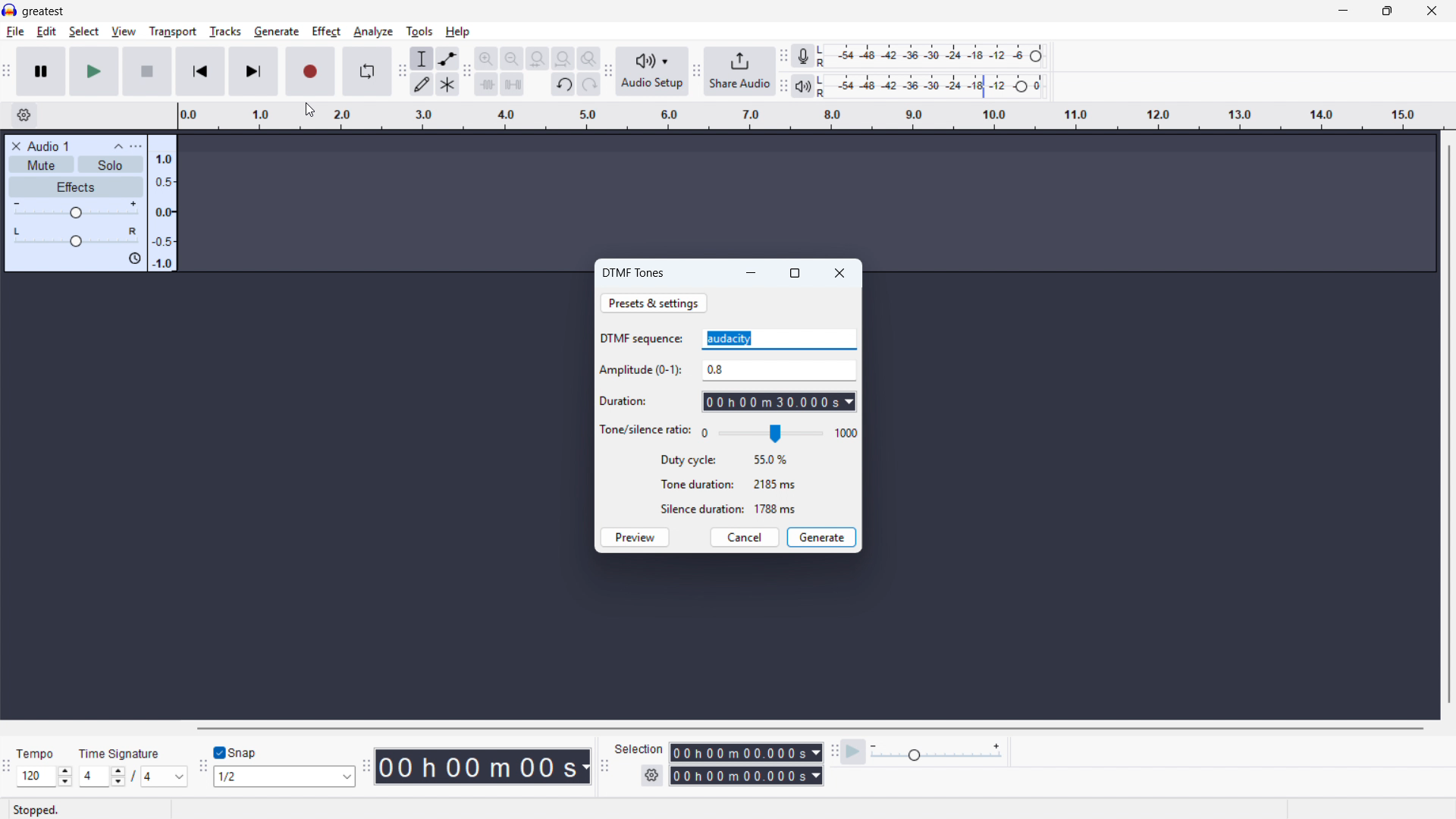  I want to click on recording meter toolbar, so click(783, 56).